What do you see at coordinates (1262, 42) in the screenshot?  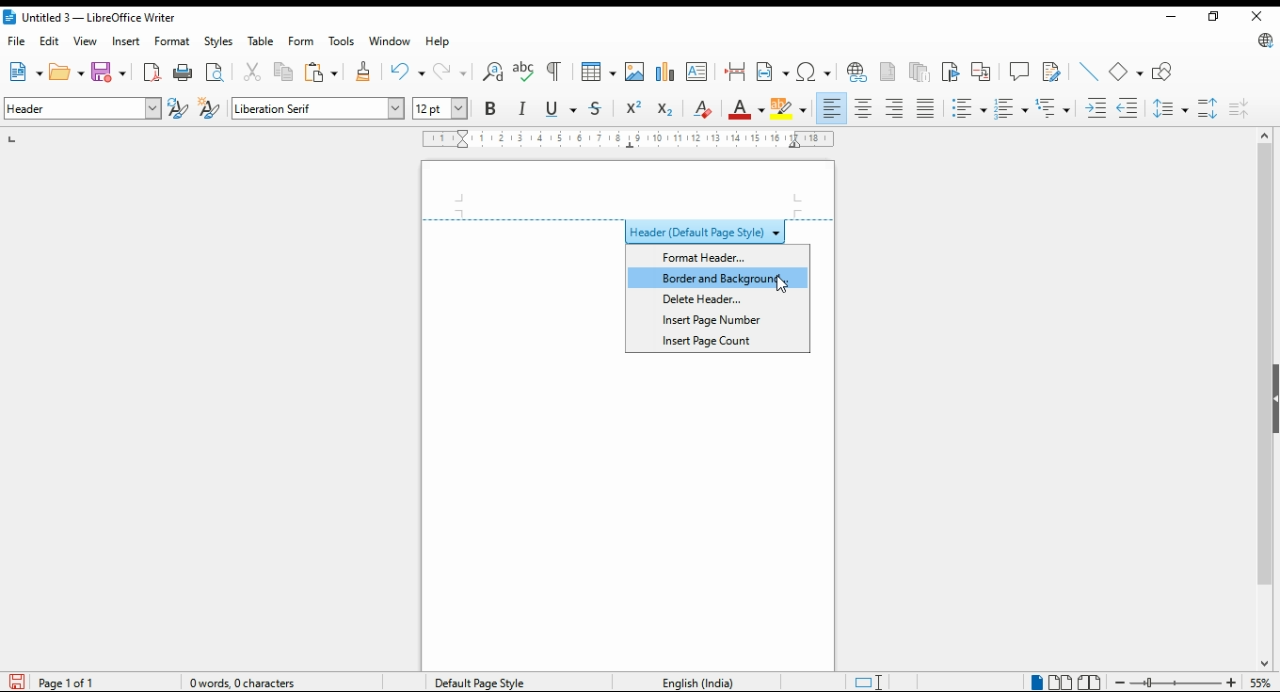 I see `libre office update` at bounding box center [1262, 42].